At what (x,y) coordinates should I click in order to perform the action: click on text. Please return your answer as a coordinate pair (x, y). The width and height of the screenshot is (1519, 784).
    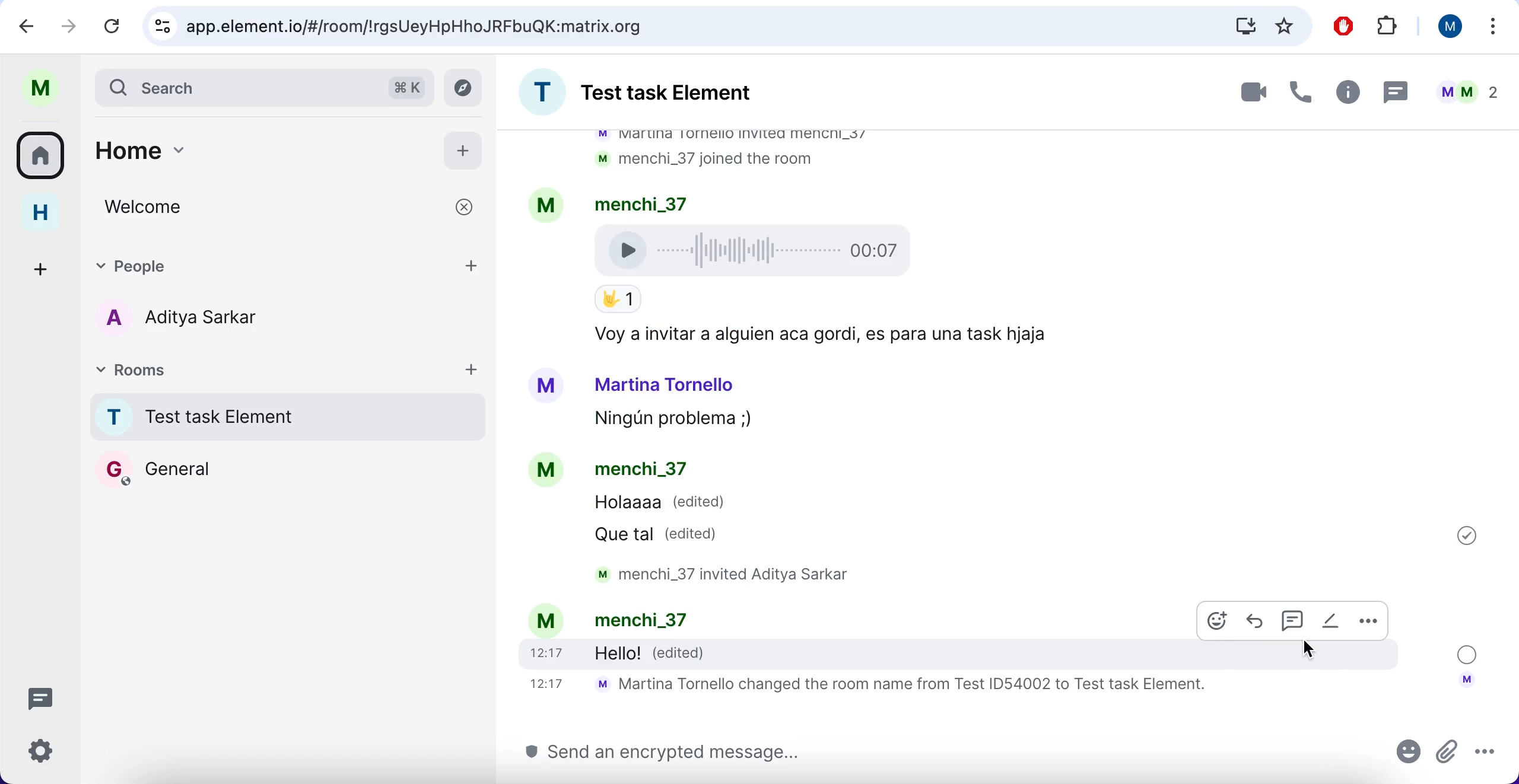
    Looking at the image, I should click on (896, 687).